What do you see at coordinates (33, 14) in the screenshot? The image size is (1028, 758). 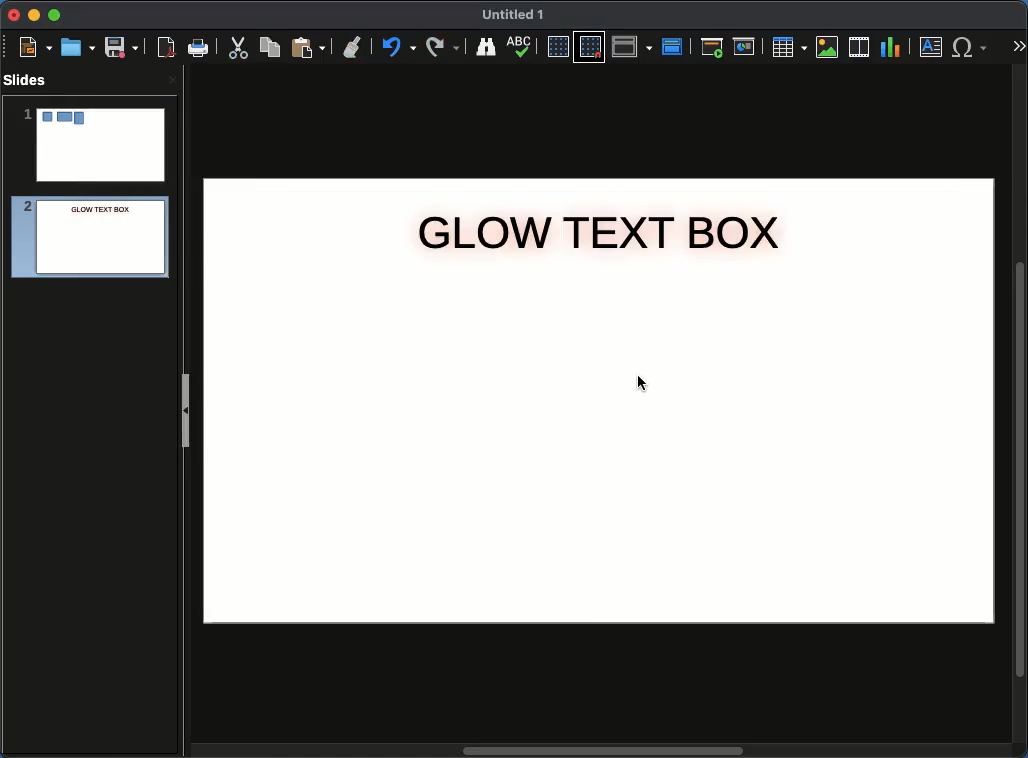 I see `Minimize` at bounding box center [33, 14].